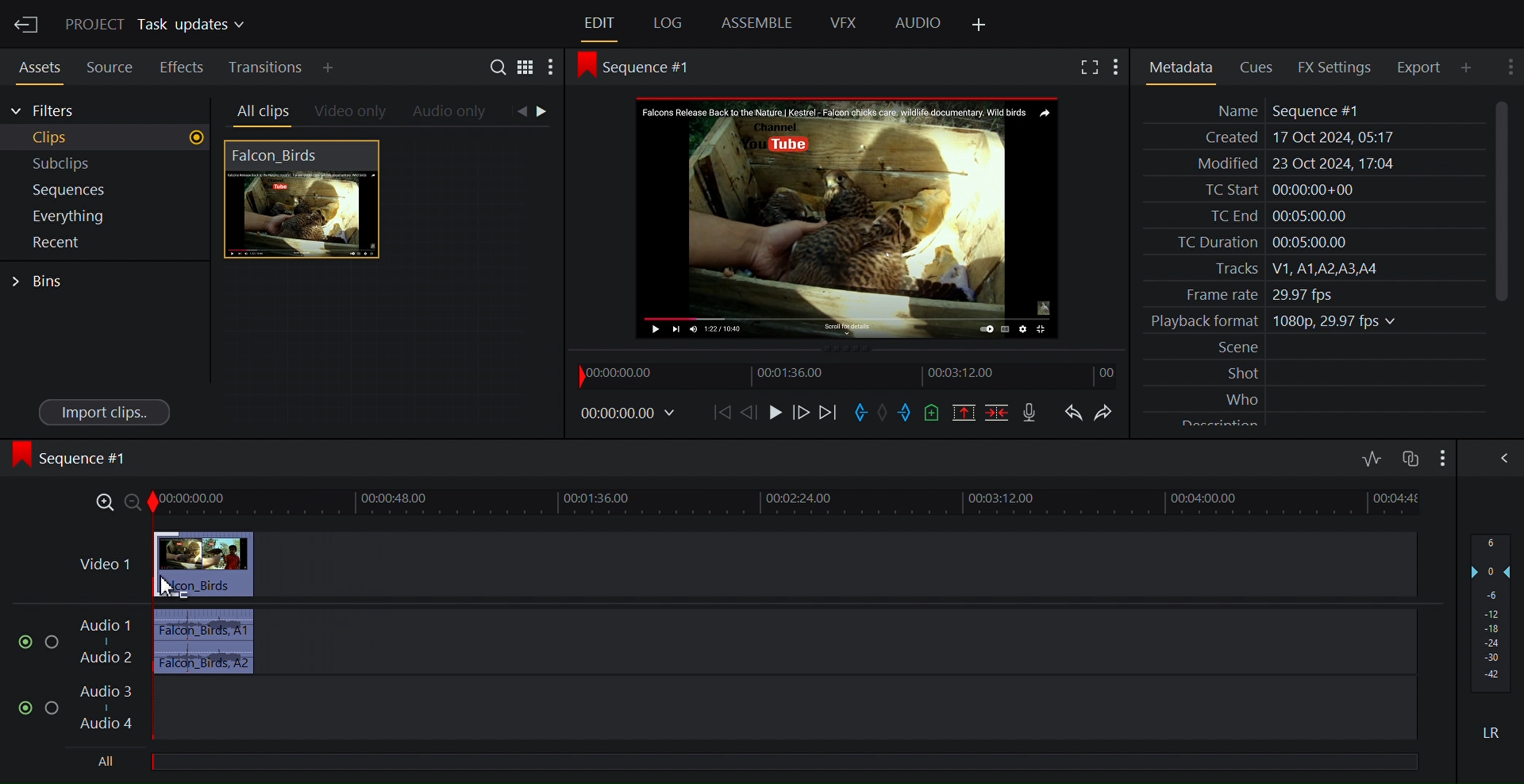  I want to click on Show/Change project details, so click(159, 25).